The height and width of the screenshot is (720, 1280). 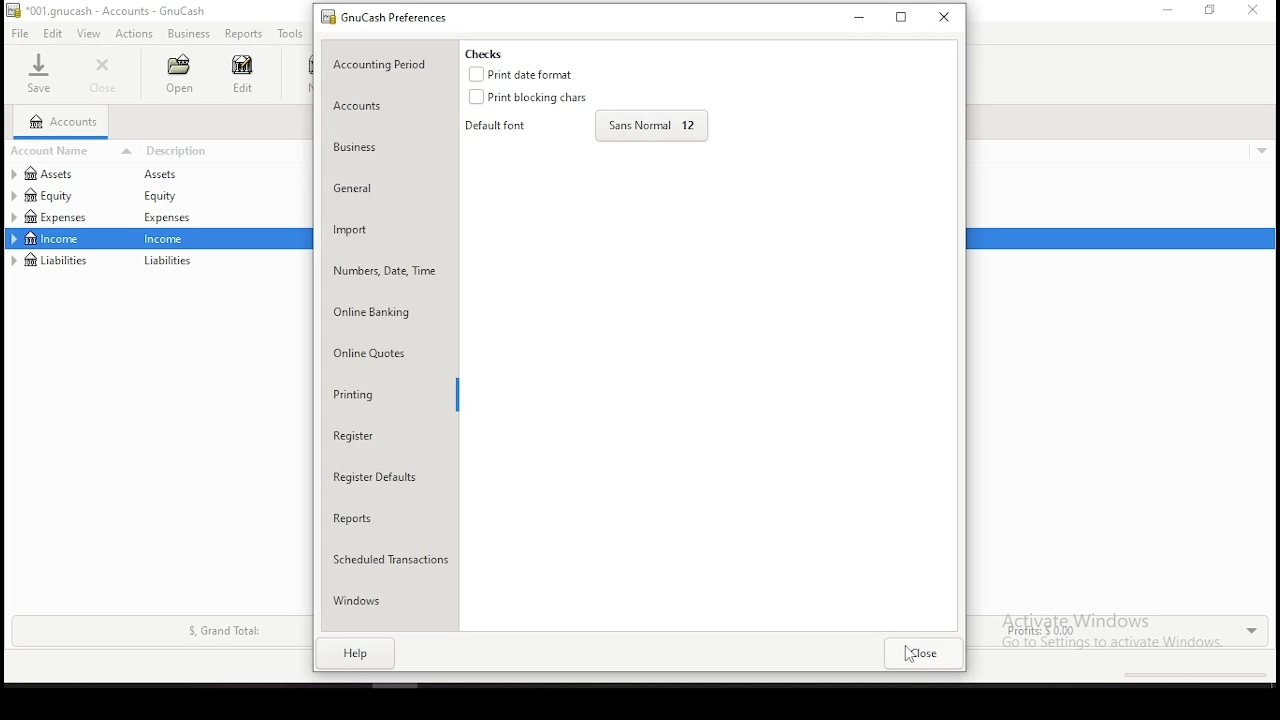 What do you see at coordinates (388, 558) in the screenshot?
I see `scheduled tranactions` at bounding box center [388, 558].